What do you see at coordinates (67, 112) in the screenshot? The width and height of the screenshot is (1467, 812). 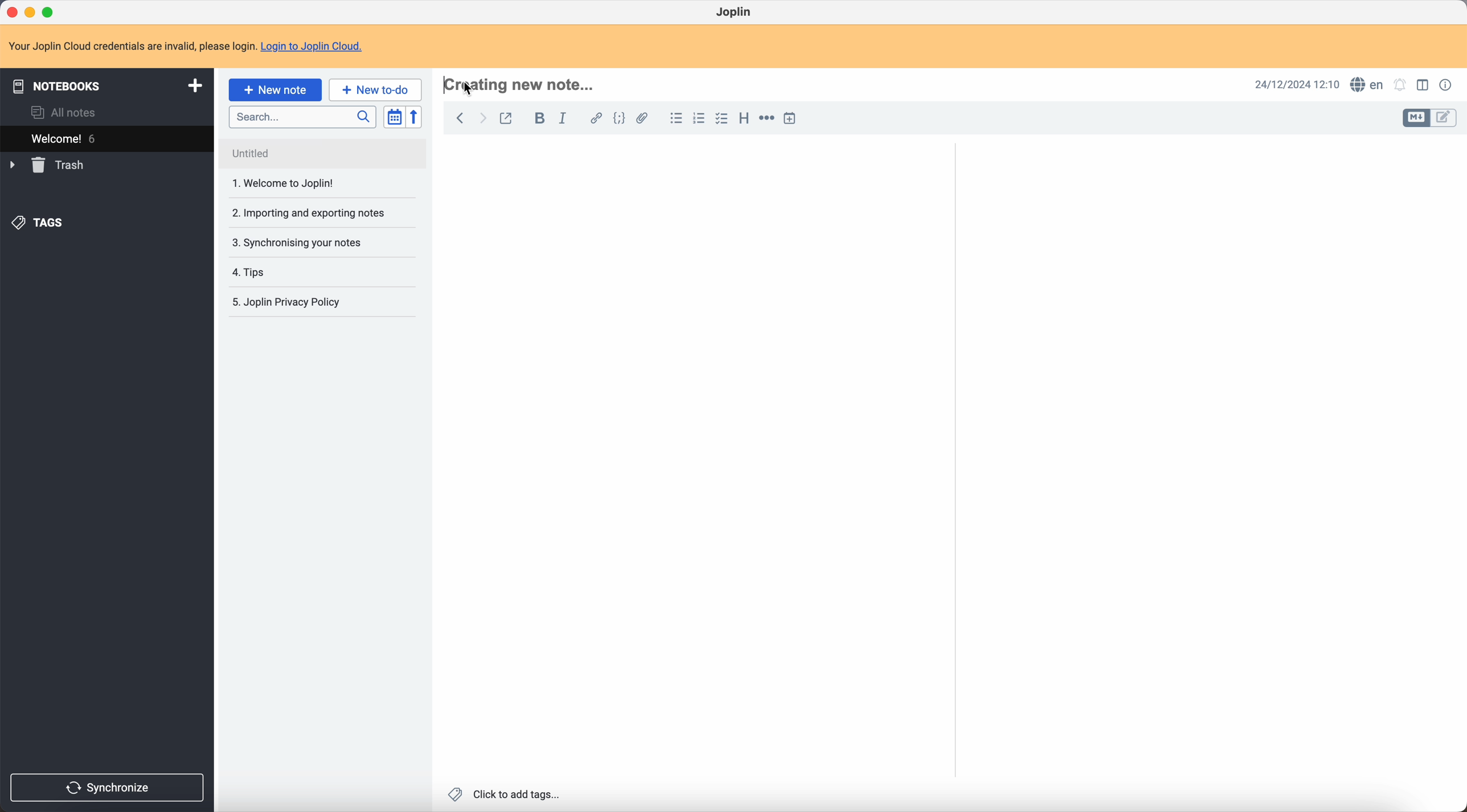 I see `all notes` at bounding box center [67, 112].